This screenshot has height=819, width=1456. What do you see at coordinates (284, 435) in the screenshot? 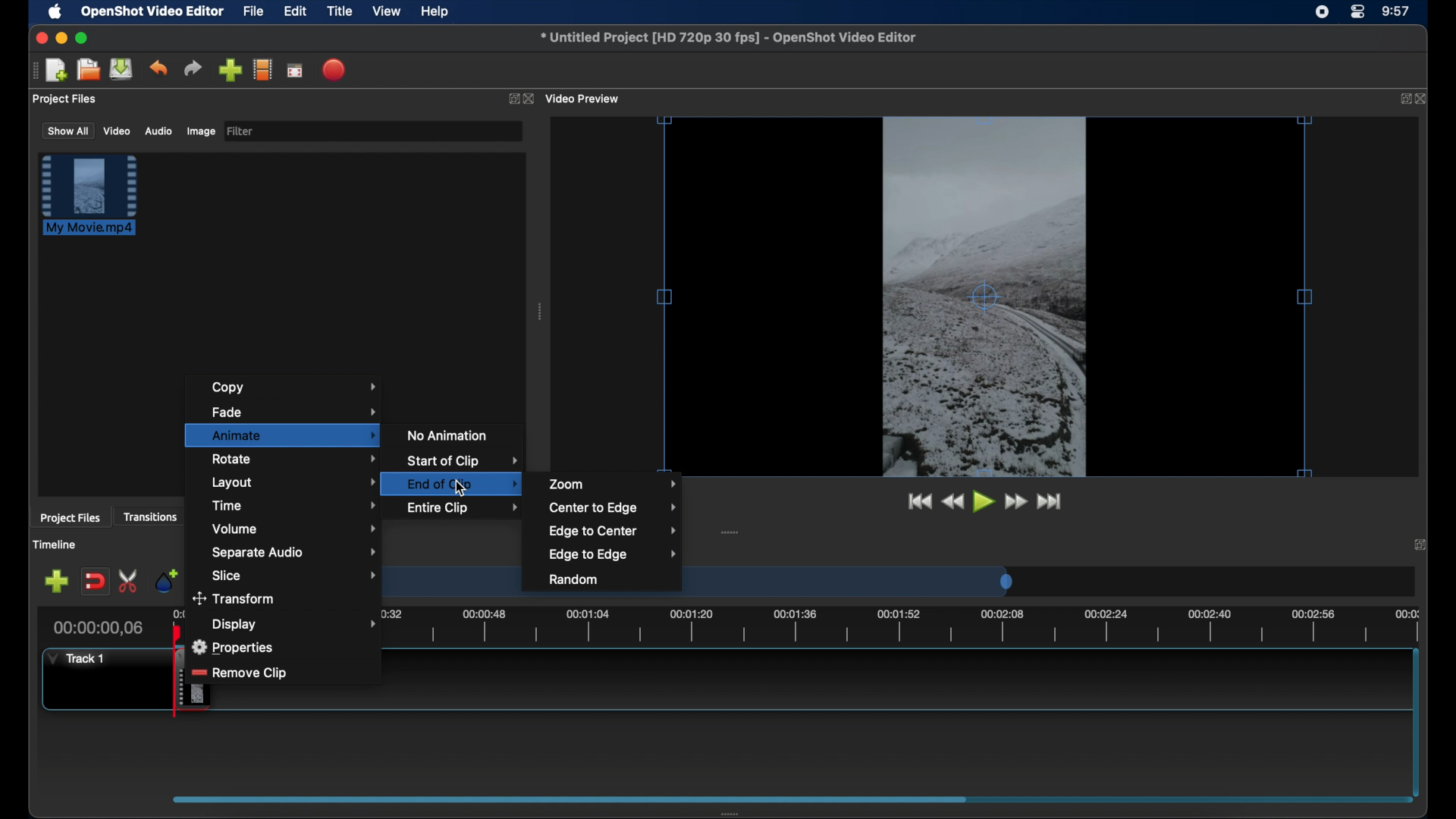
I see `animate menu` at bounding box center [284, 435].